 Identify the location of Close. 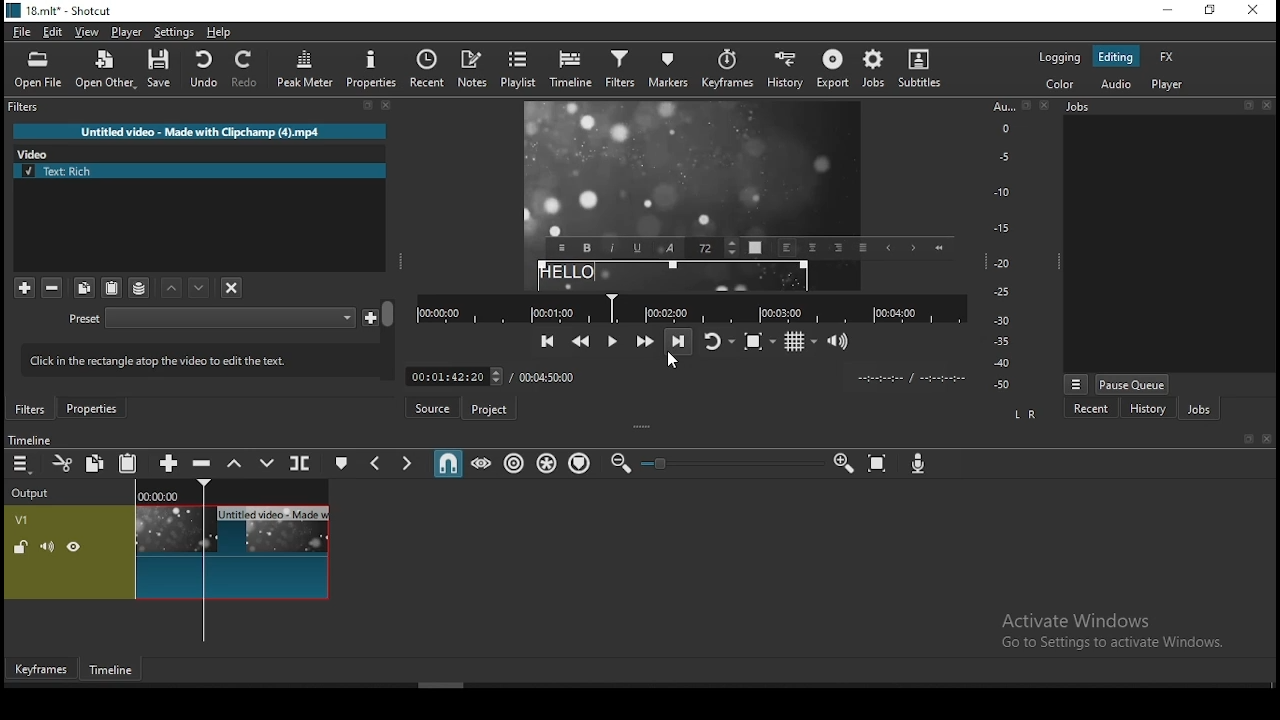
(387, 105).